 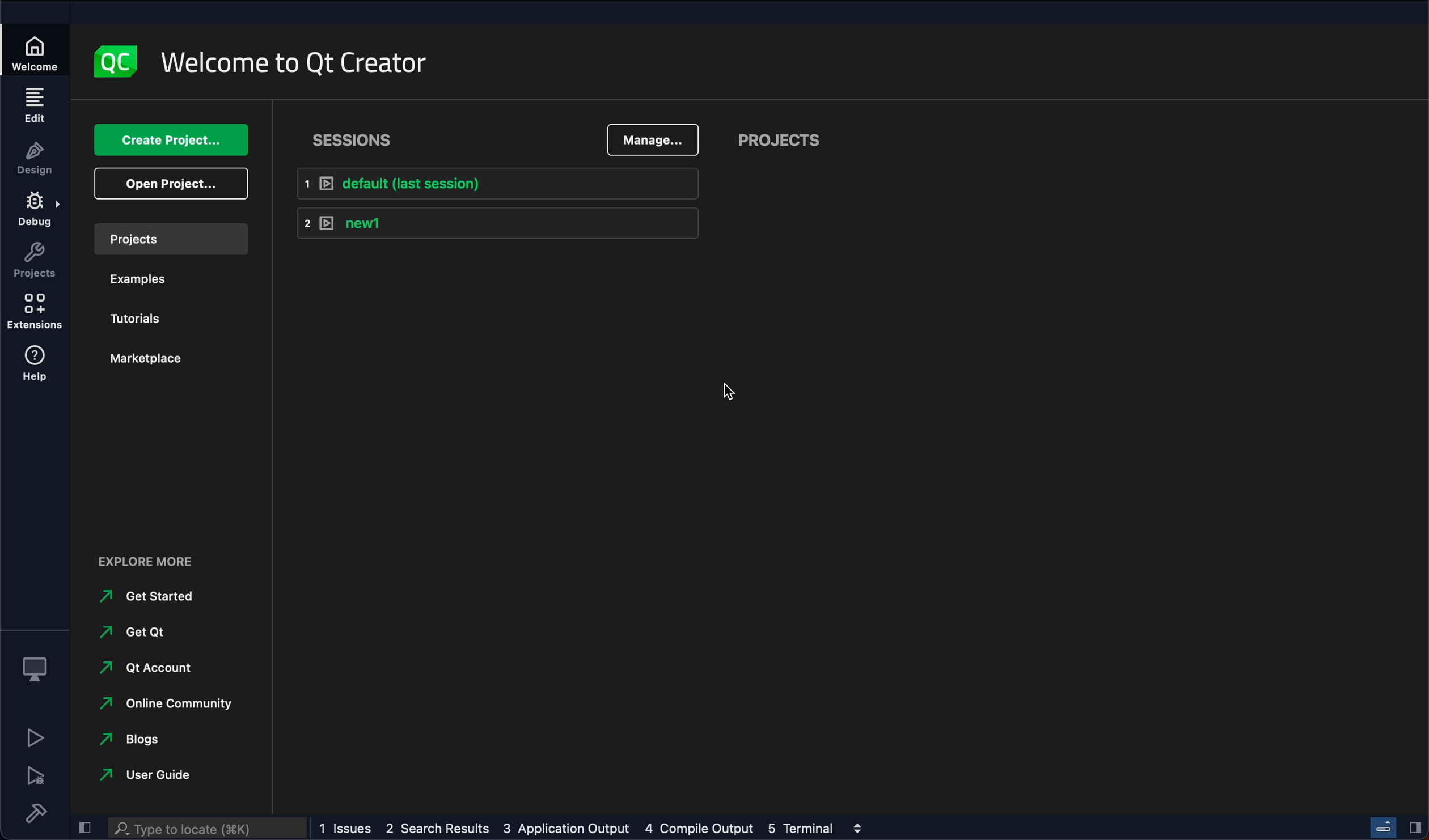 What do you see at coordinates (34, 313) in the screenshot?
I see `extension` at bounding box center [34, 313].